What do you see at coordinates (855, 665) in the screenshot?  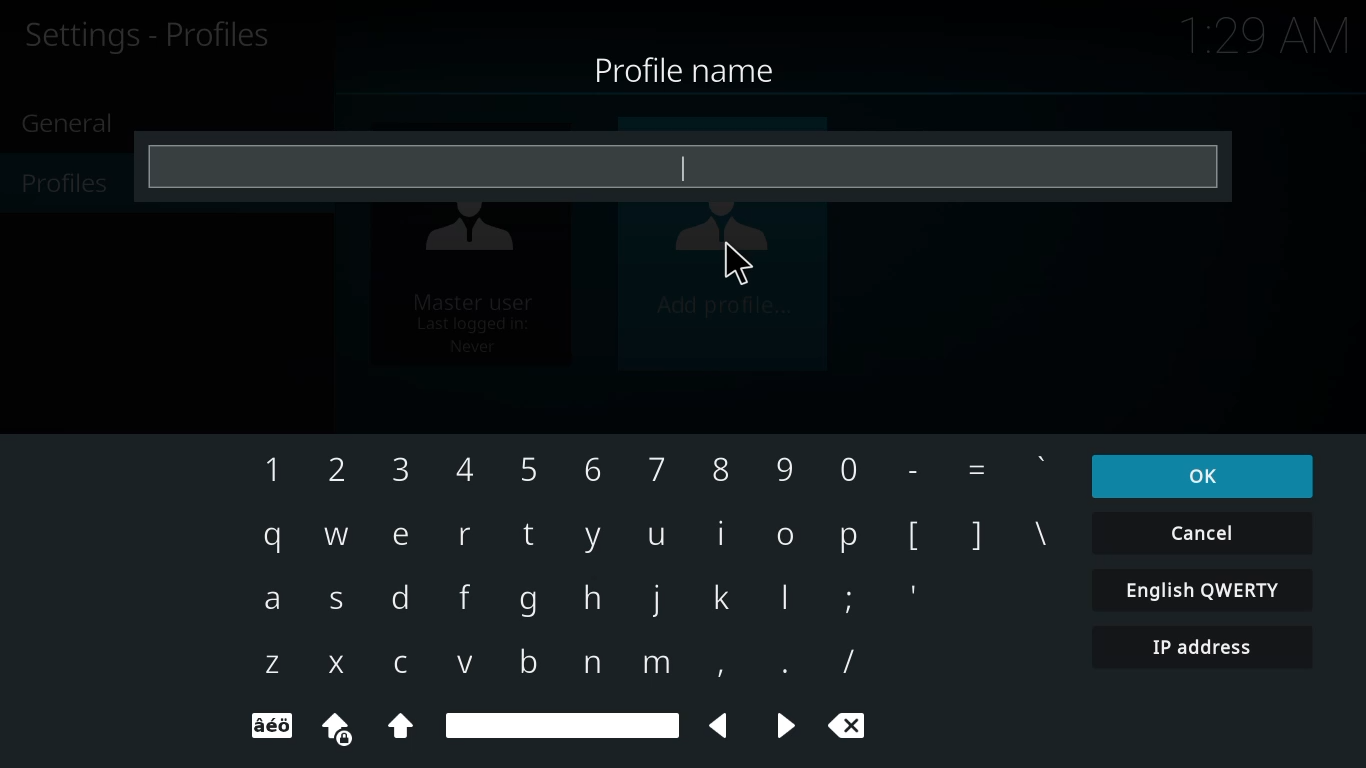 I see `/` at bounding box center [855, 665].